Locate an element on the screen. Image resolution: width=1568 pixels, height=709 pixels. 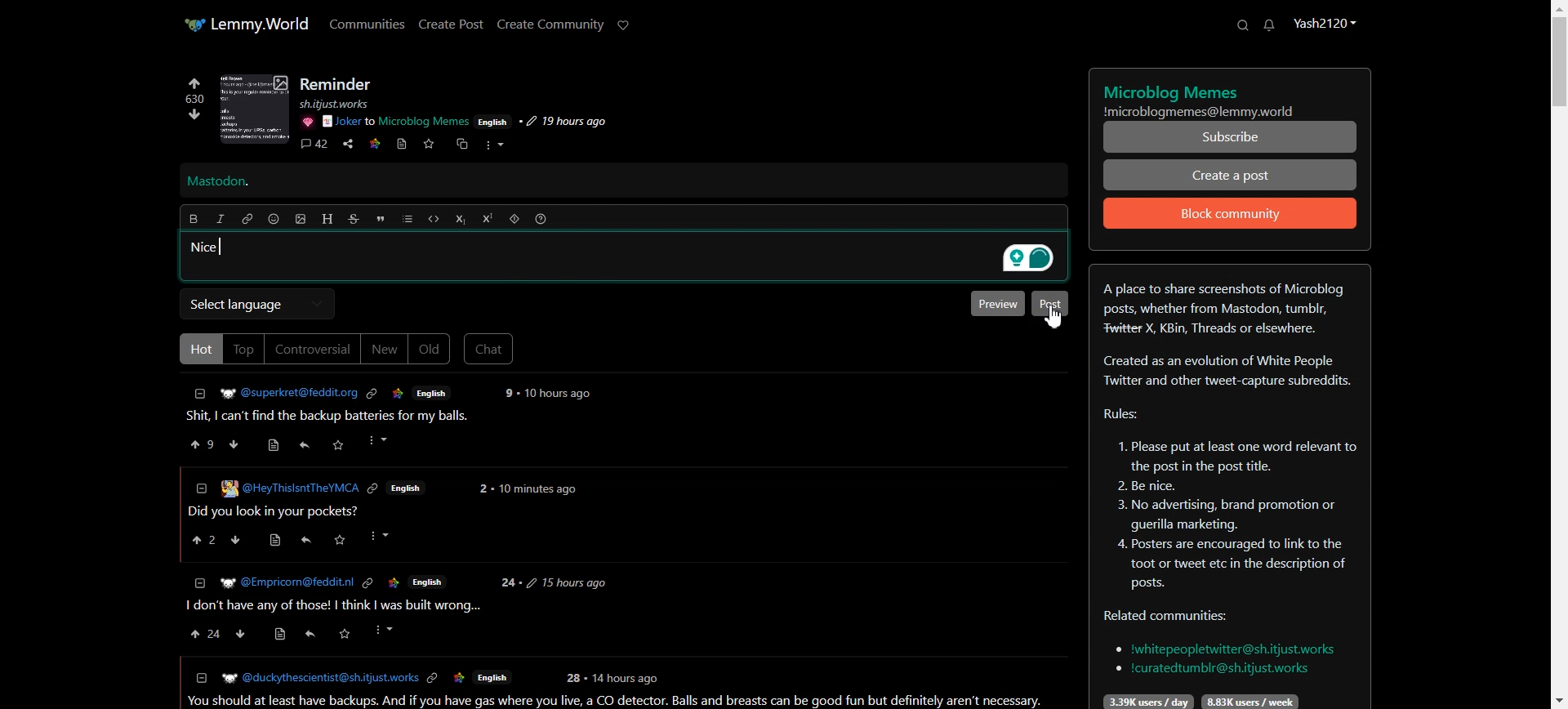
Unread Messages is located at coordinates (1270, 25).